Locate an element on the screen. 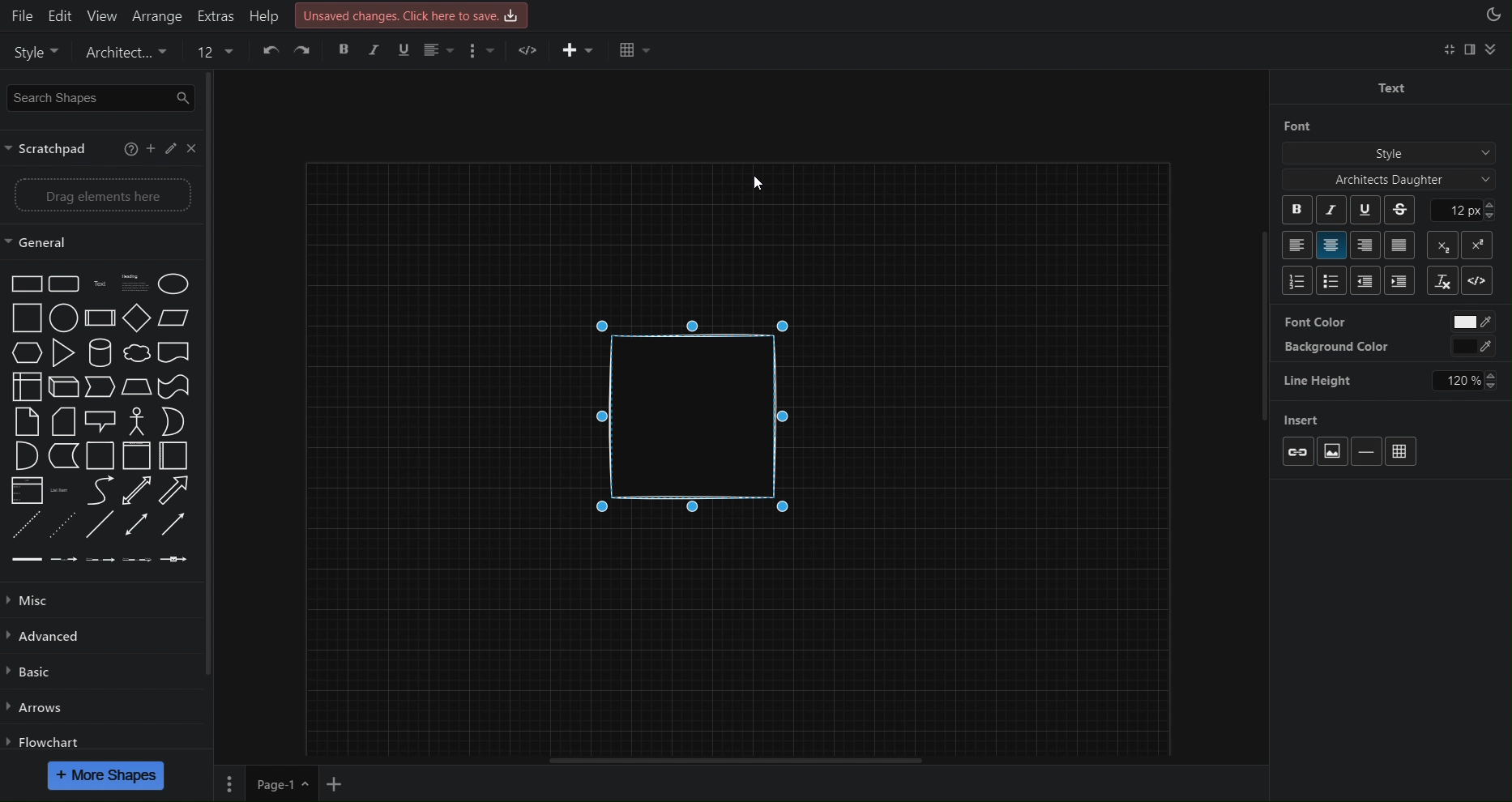 The width and height of the screenshot is (1512, 802). Fill Color is located at coordinates (420, 50).